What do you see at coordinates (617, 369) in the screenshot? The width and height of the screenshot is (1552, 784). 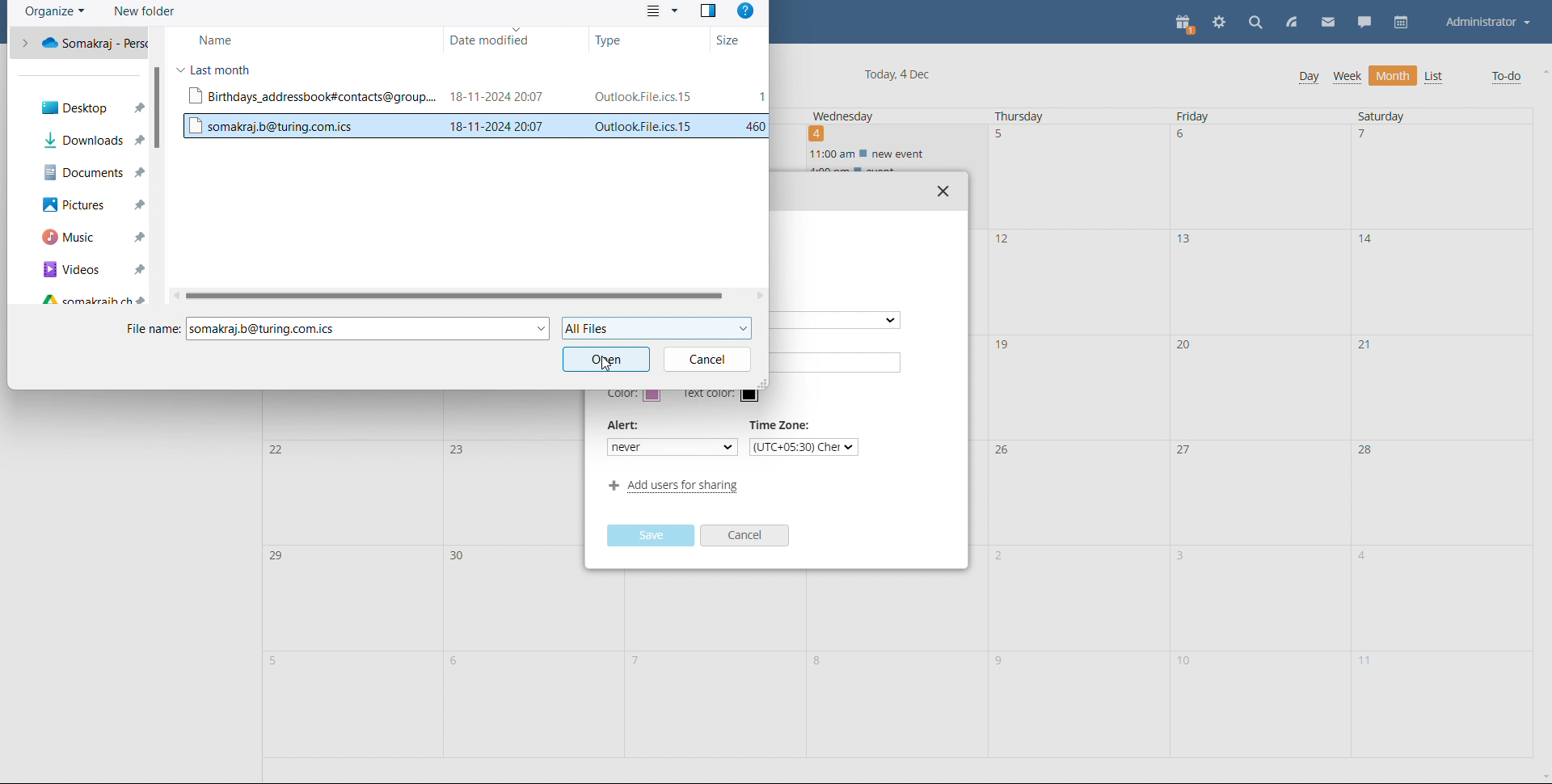 I see `cursor` at bounding box center [617, 369].